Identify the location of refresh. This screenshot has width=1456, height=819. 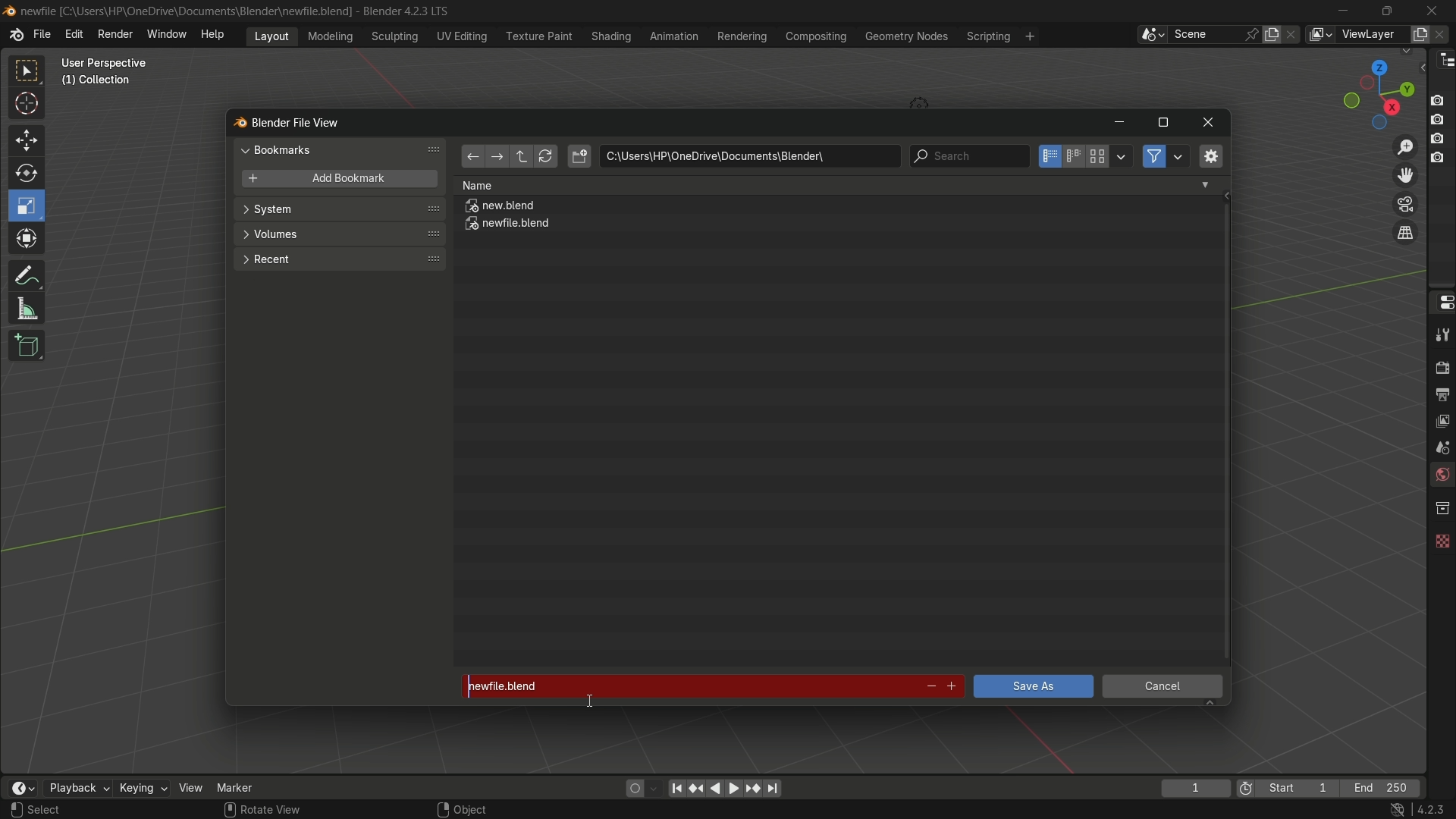
(545, 157).